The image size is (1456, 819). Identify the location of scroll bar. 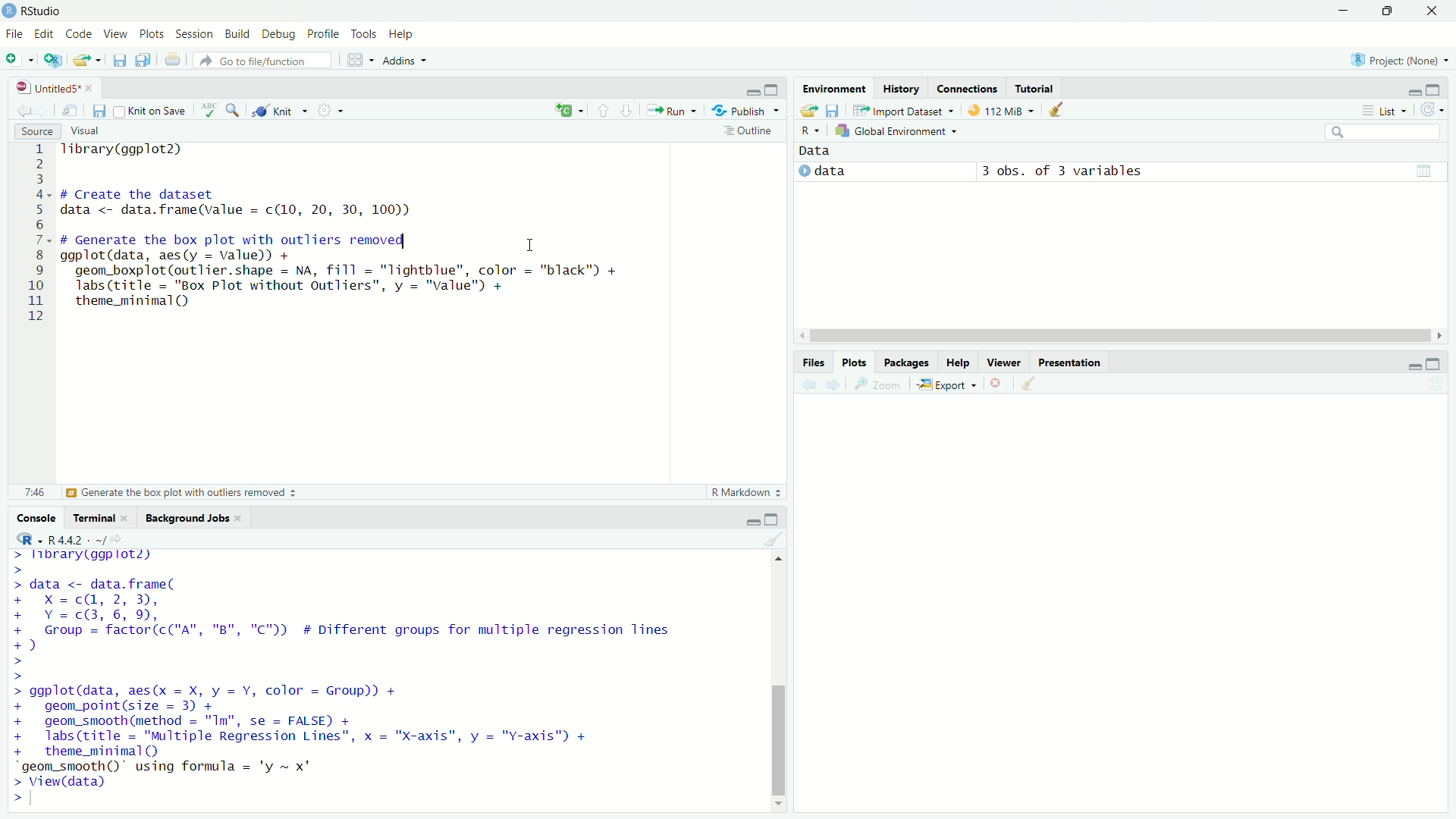
(777, 681).